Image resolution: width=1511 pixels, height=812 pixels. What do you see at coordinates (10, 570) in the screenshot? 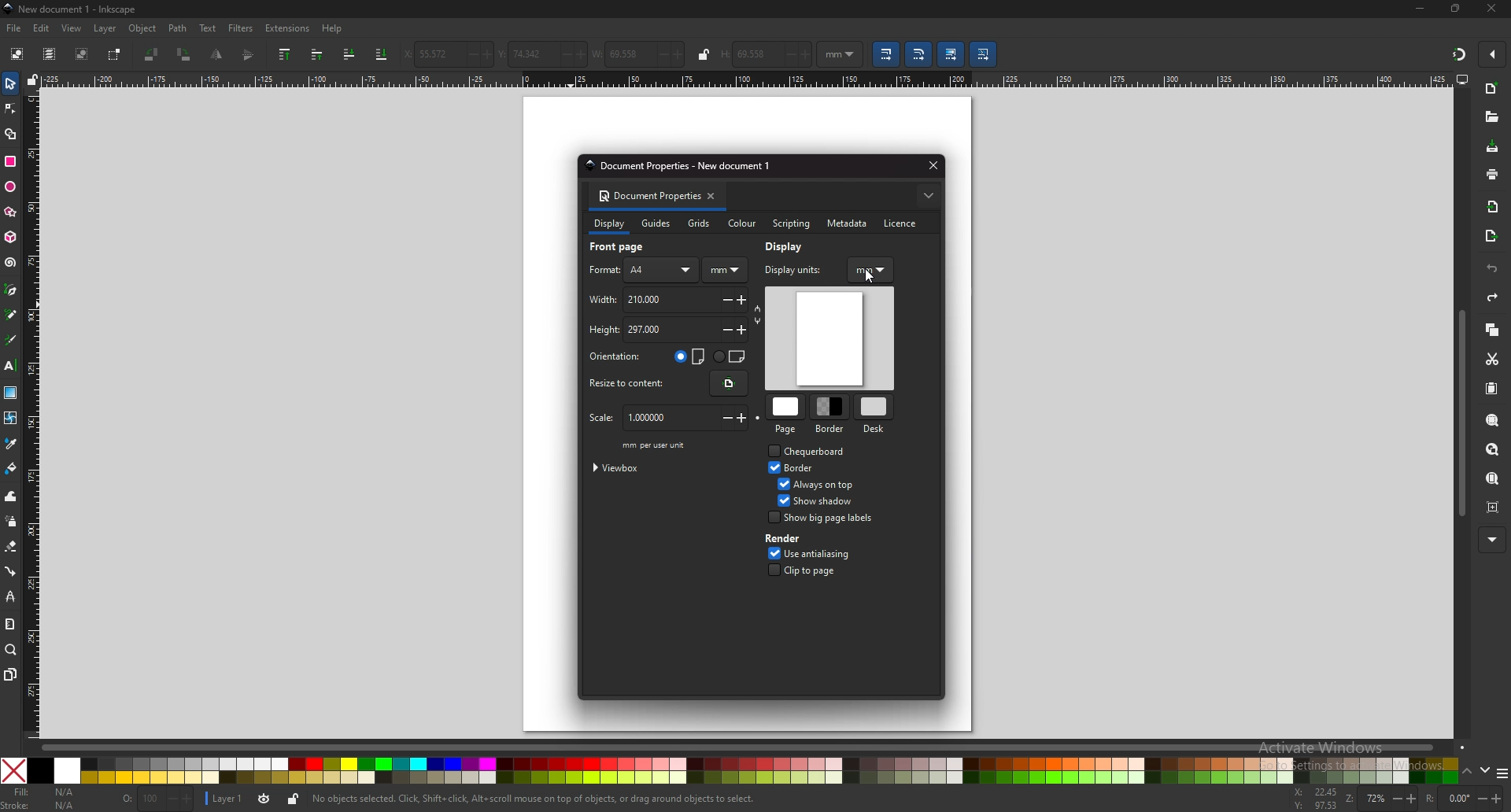
I see `connector` at bounding box center [10, 570].